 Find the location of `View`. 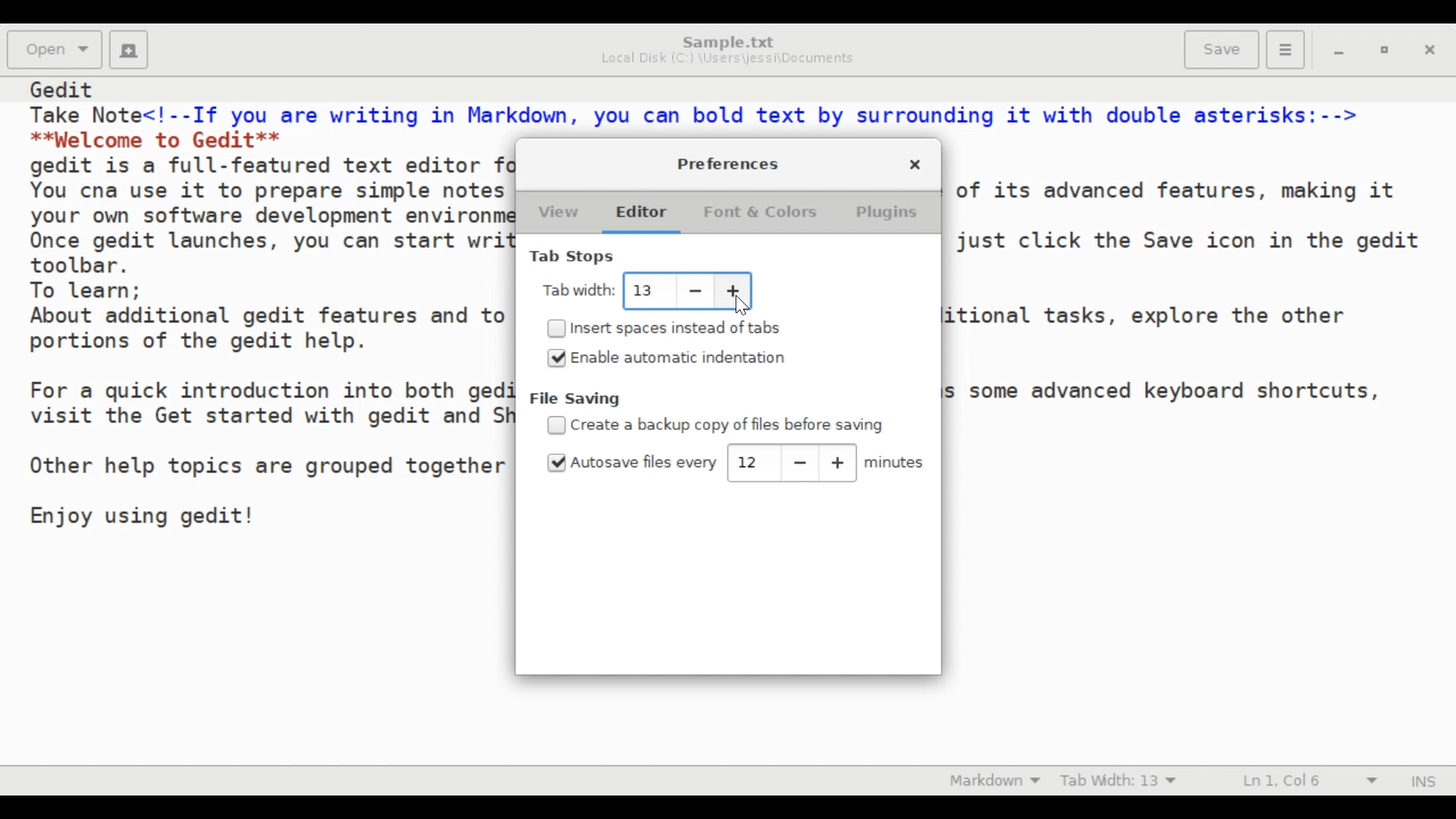

View is located at coordinates (560, 214).